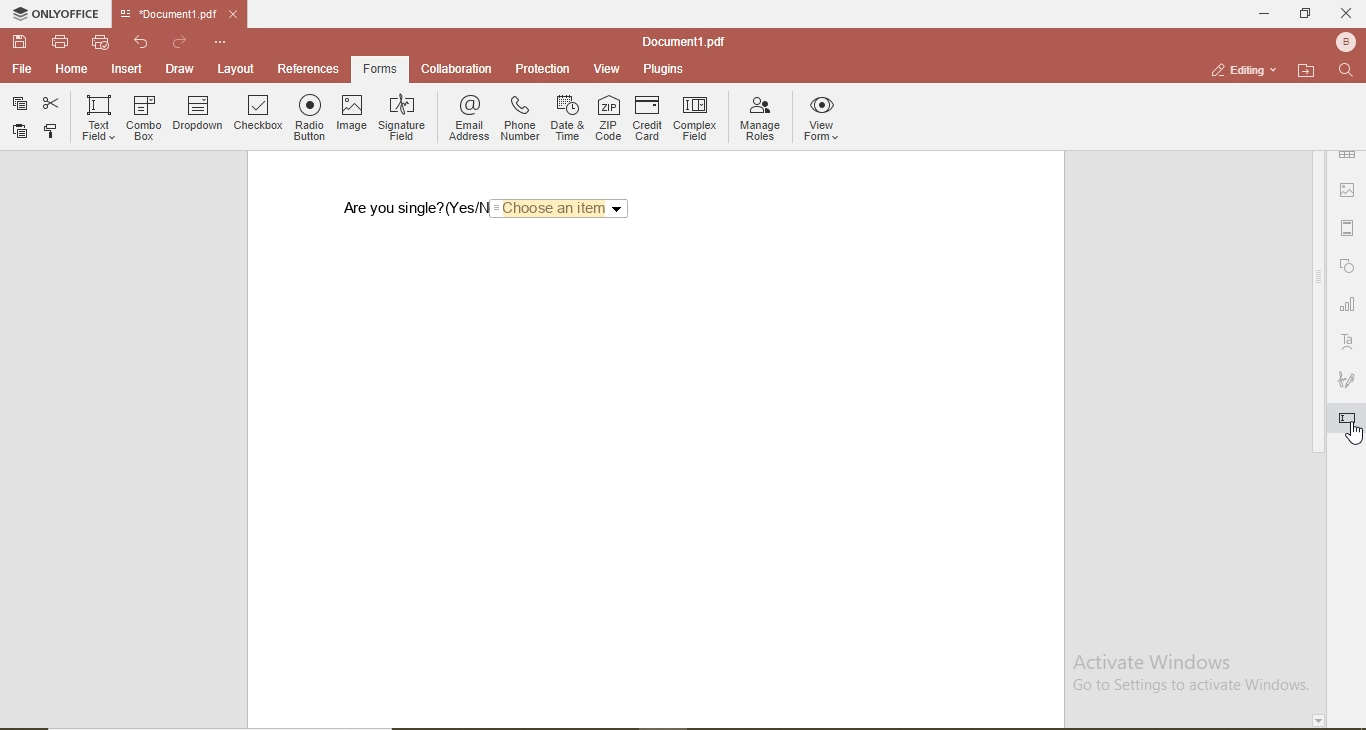 This screenshot has width=1366, height=730. I want to click on signature, so click(1348, 377).